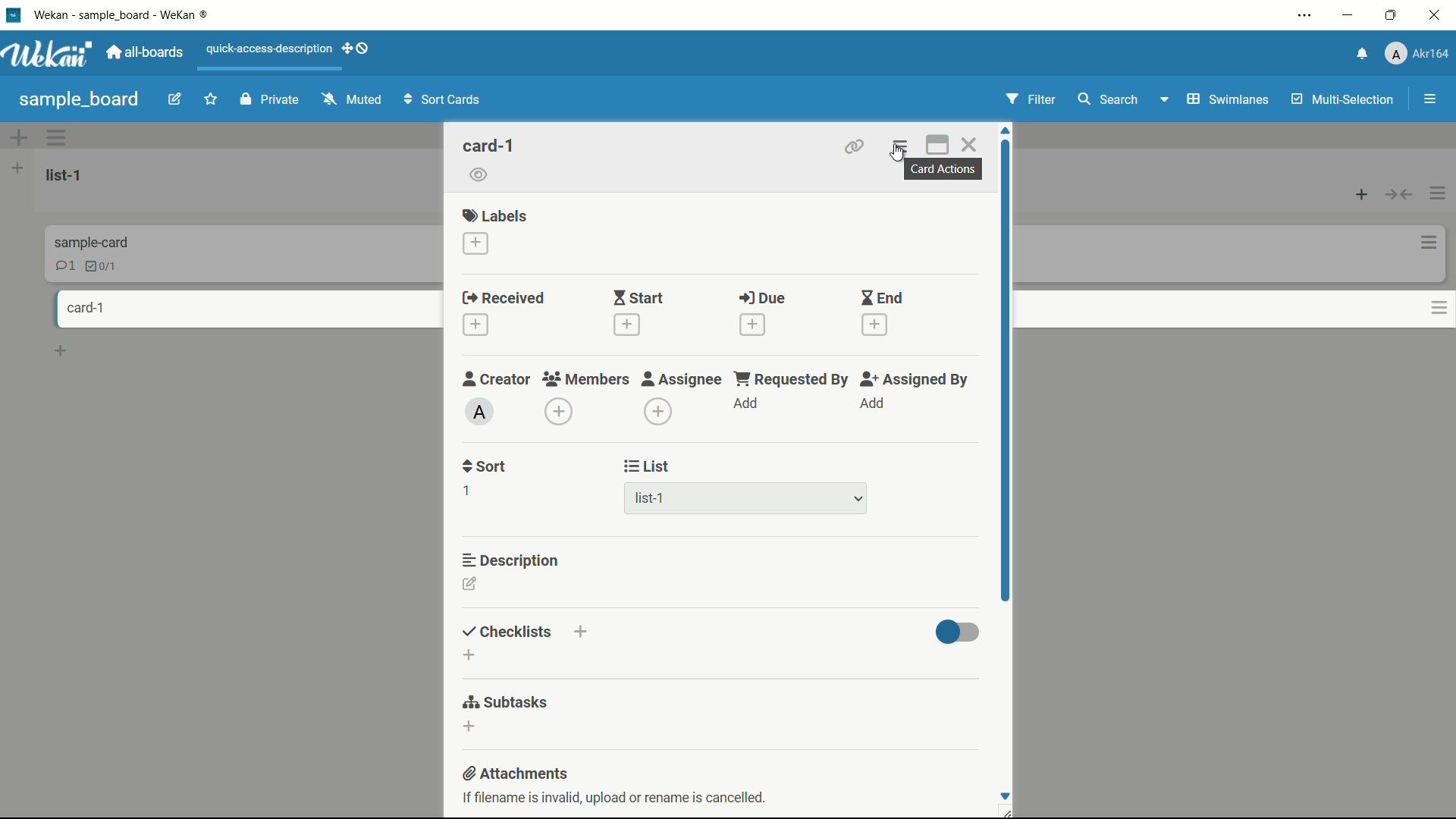 The width and height of the screenshot is (1456, 819). I want to click on start, so click(639, 297).